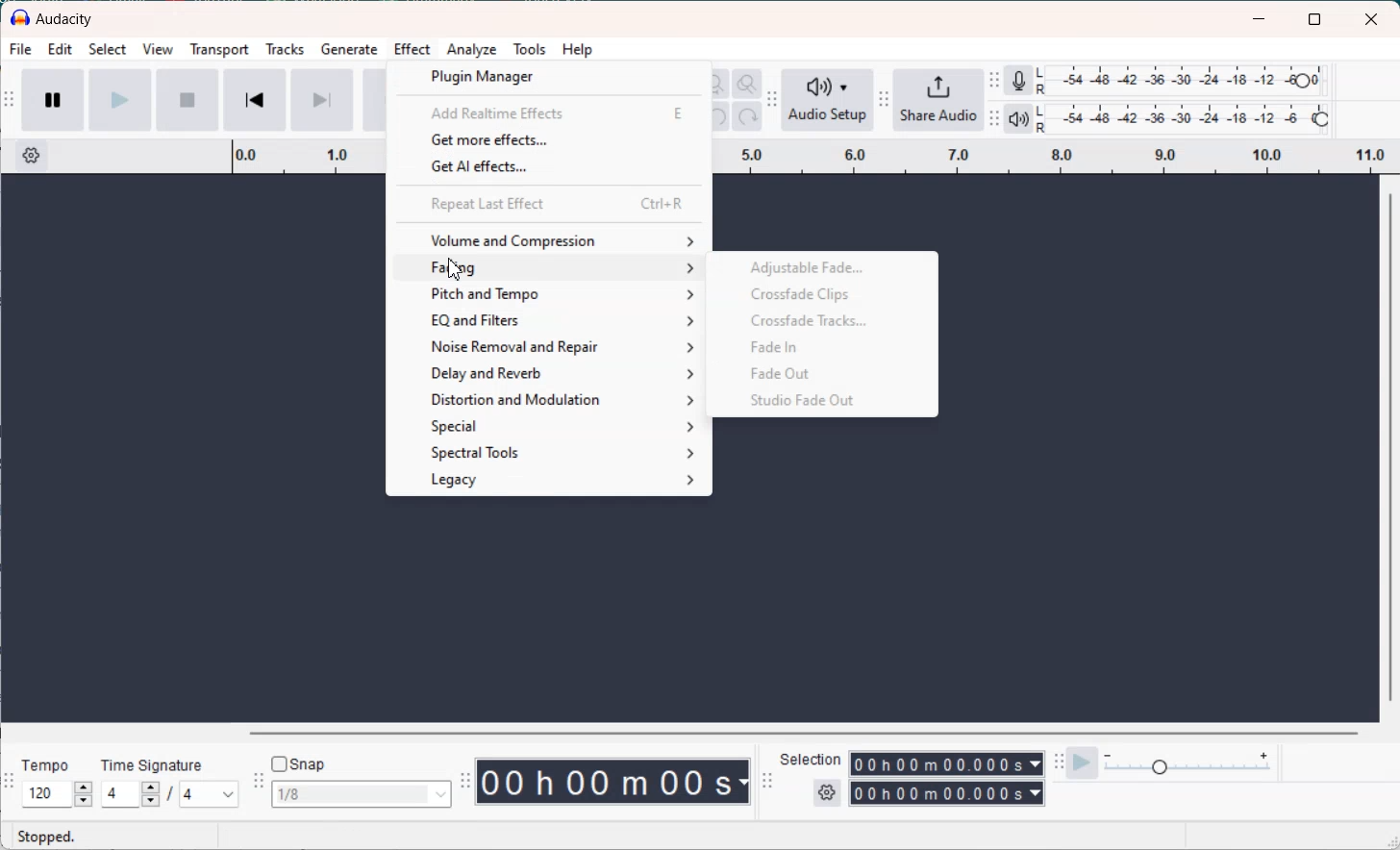 Image resolution: width=1400 pixels, height=850 pixels. What do you see at coordinates (550, 321) in the screenshot?
I see `EQ and filters` at bounding box center [550, 321].